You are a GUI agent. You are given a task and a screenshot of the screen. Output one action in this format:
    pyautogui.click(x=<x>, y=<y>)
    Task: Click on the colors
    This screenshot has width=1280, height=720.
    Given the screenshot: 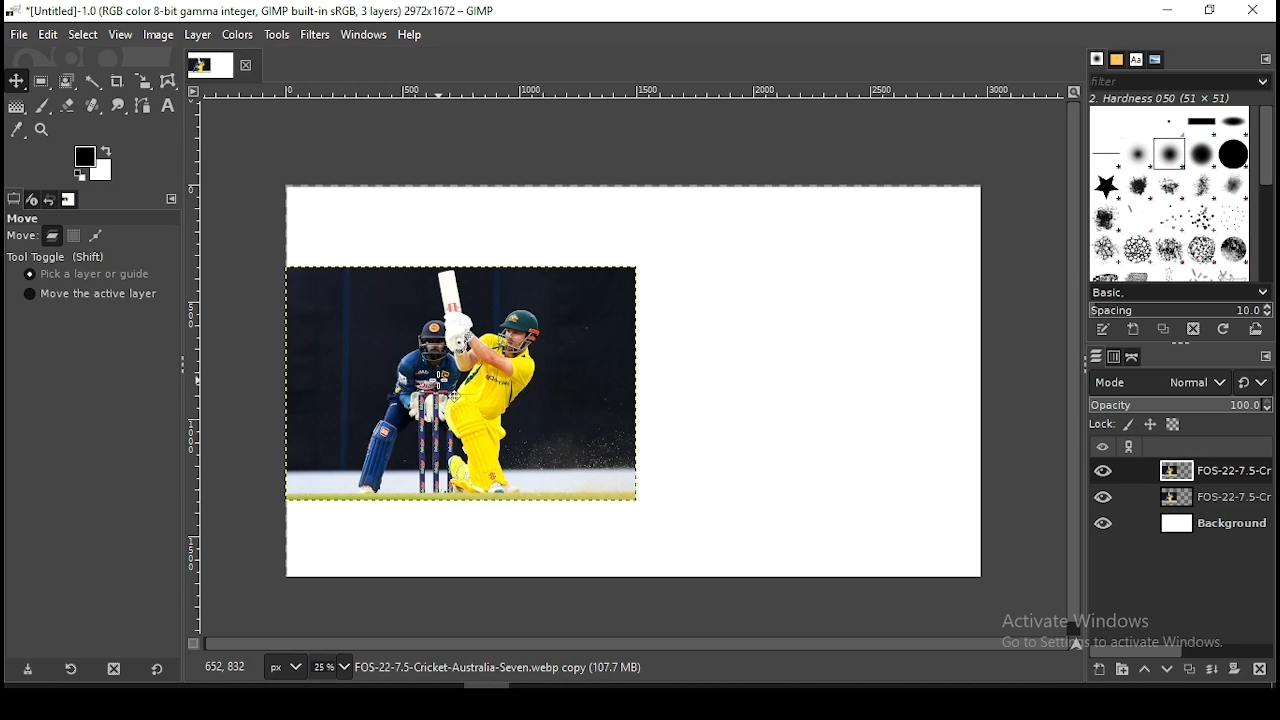 What is the action you would take?
    pyautogui.click(x=93, y=163)
    